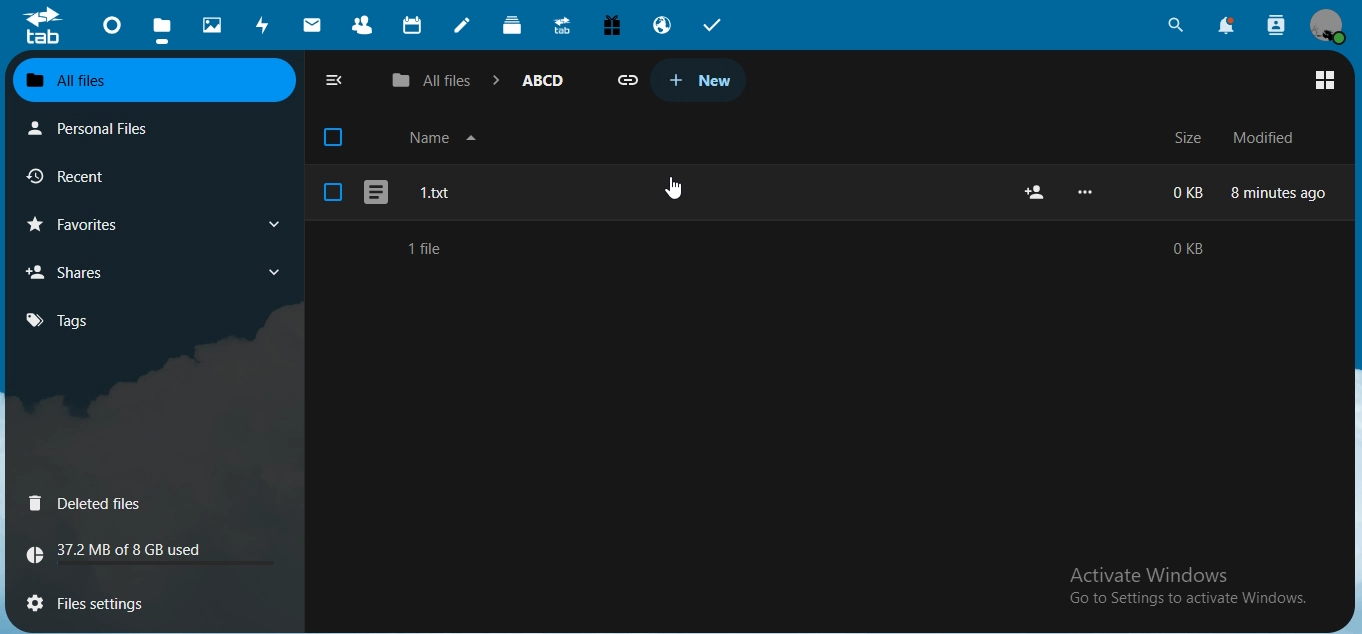  Describe the element at coordinates (89, 504) in the screenshot. I see `deleted files` at that location.